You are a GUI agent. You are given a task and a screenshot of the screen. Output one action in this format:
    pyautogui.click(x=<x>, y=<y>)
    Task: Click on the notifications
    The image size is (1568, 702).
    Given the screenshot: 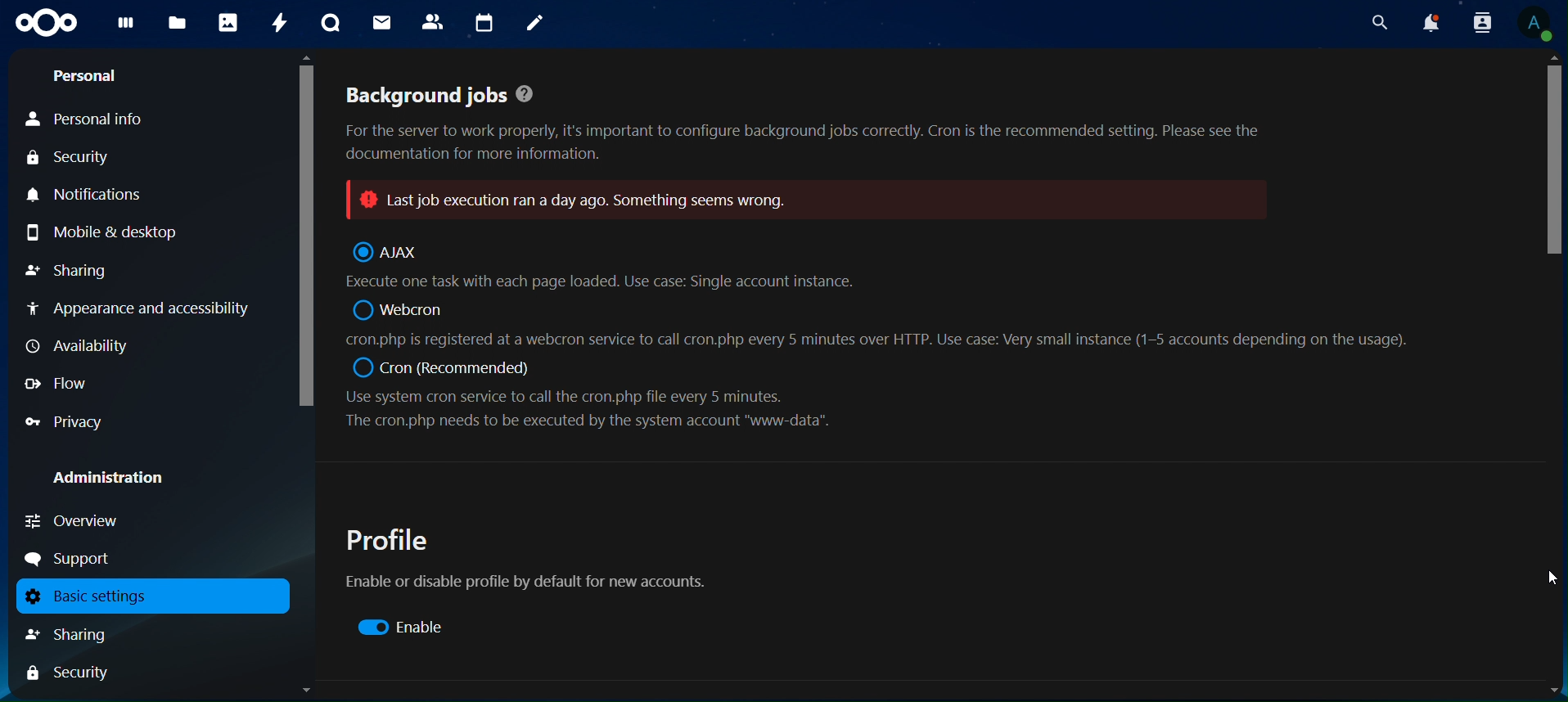 What is the action you would take?
    pyautogui.click(x=1428, y=23)
    